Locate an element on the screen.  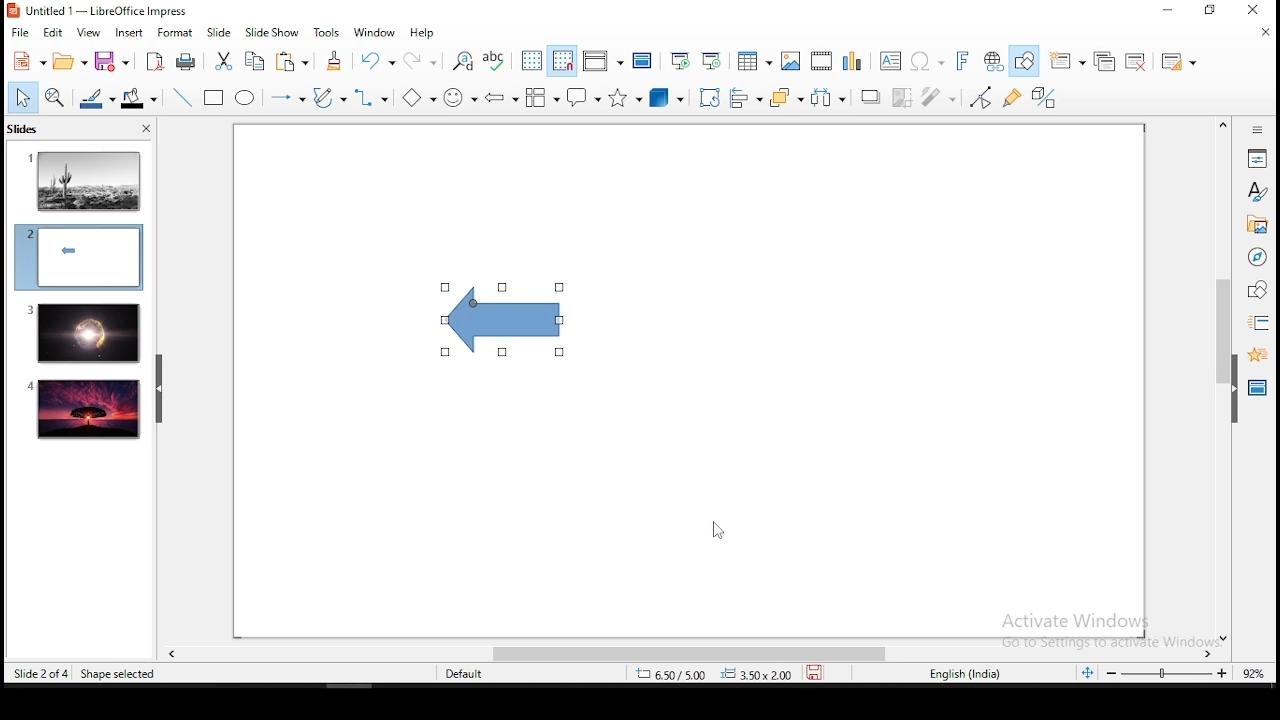
english (india) is located at coordinates (967, 673).